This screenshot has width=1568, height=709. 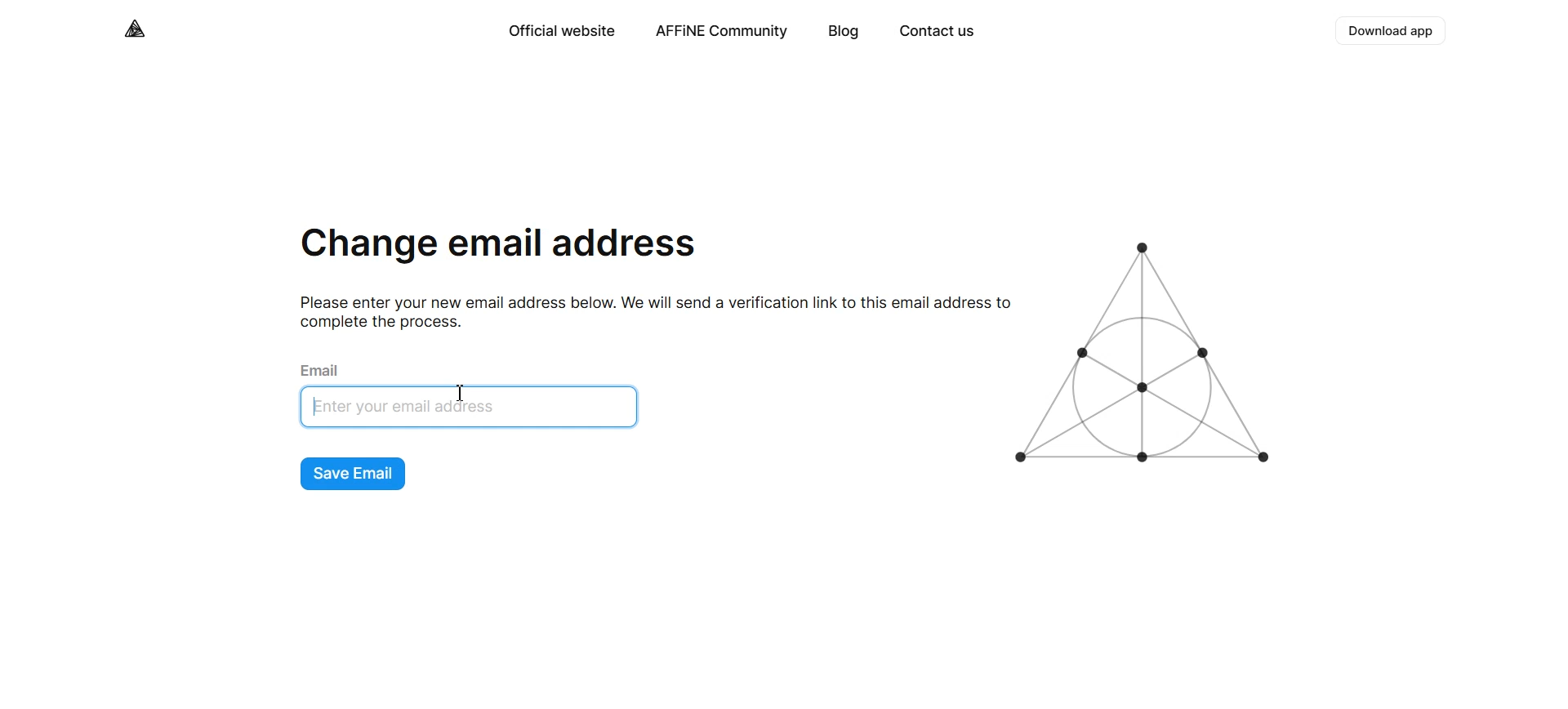 I want to click on Logo, so click(x=1148, y=354).